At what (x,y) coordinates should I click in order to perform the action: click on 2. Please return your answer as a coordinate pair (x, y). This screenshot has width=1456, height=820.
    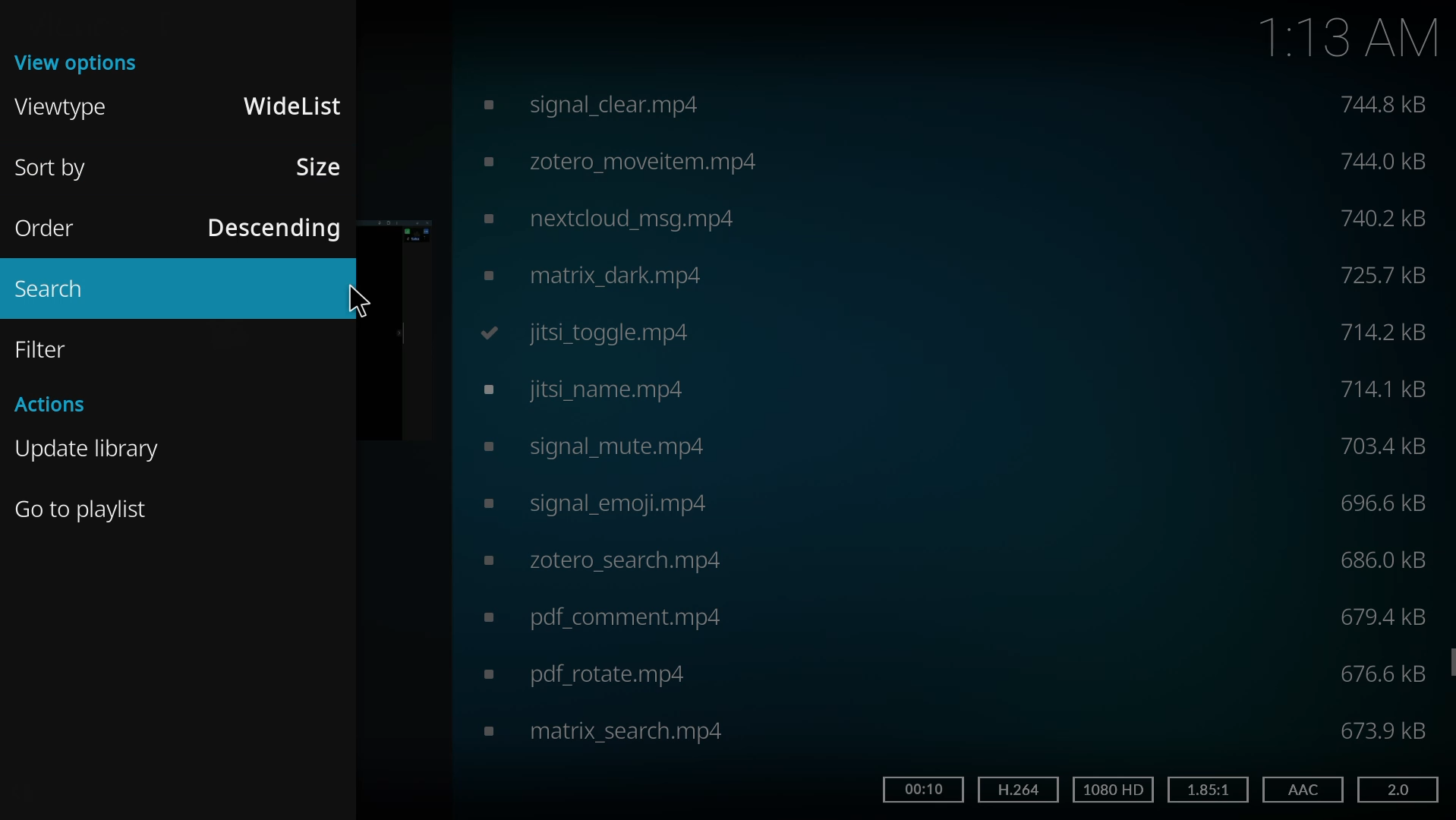
    Looking at the image, I should click on (1399, 789).